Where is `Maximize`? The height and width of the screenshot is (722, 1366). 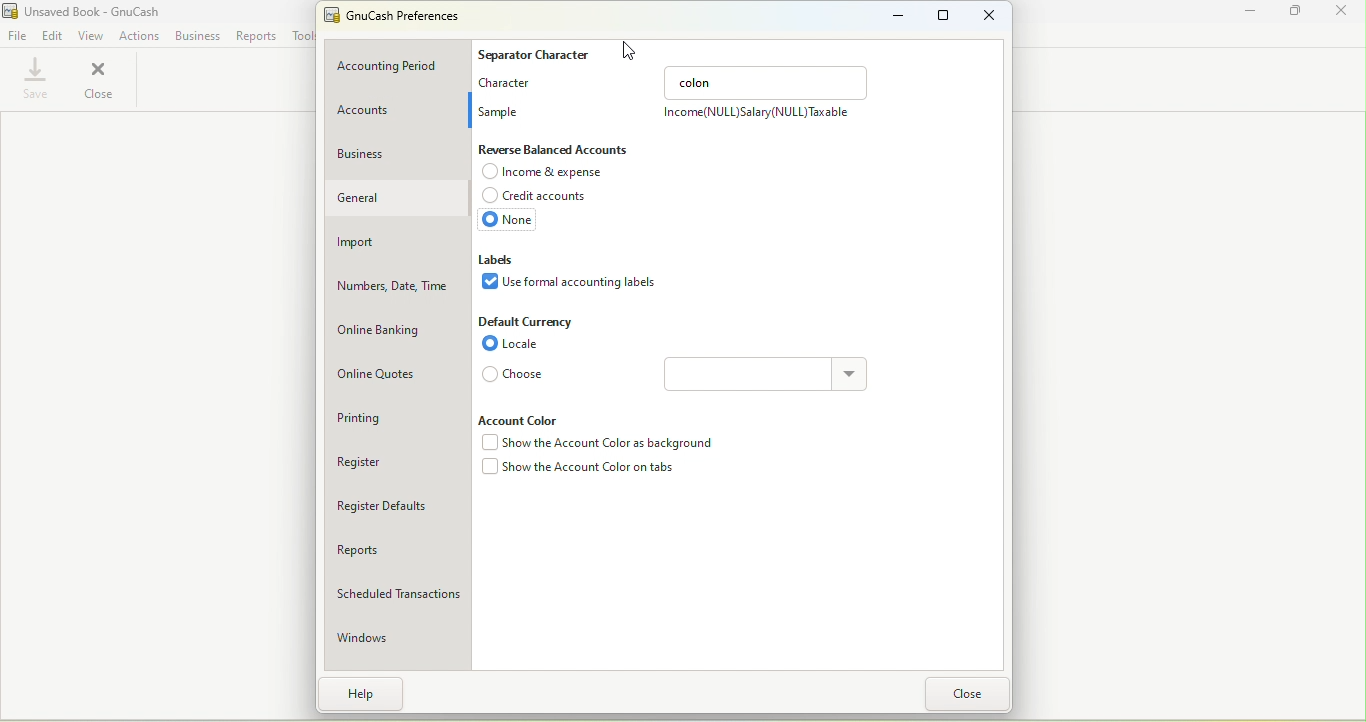 Maximize is located at coordinates (944, 17).